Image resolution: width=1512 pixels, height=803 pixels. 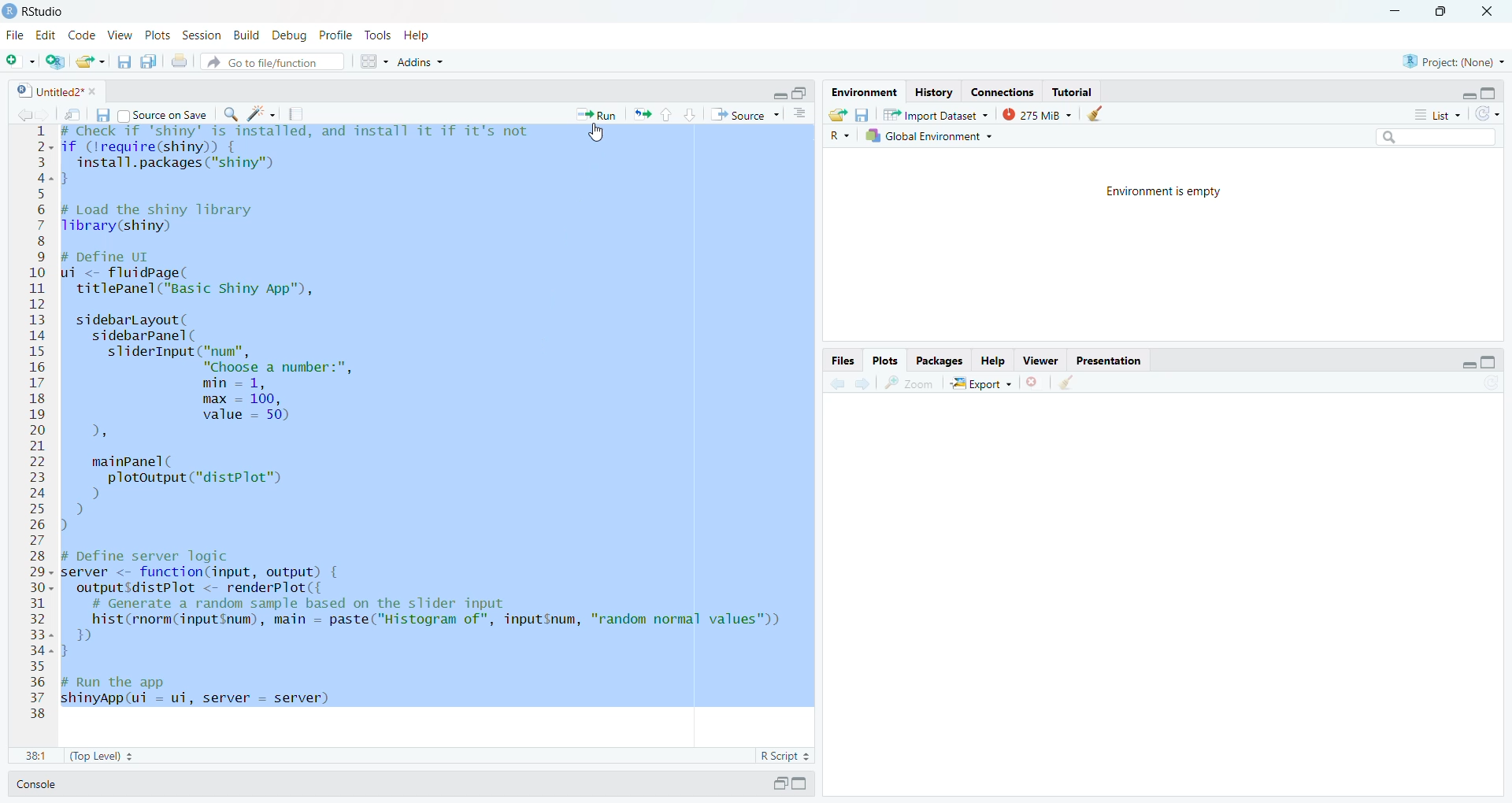 I want to click on Tools, so click(x=379, y=35).